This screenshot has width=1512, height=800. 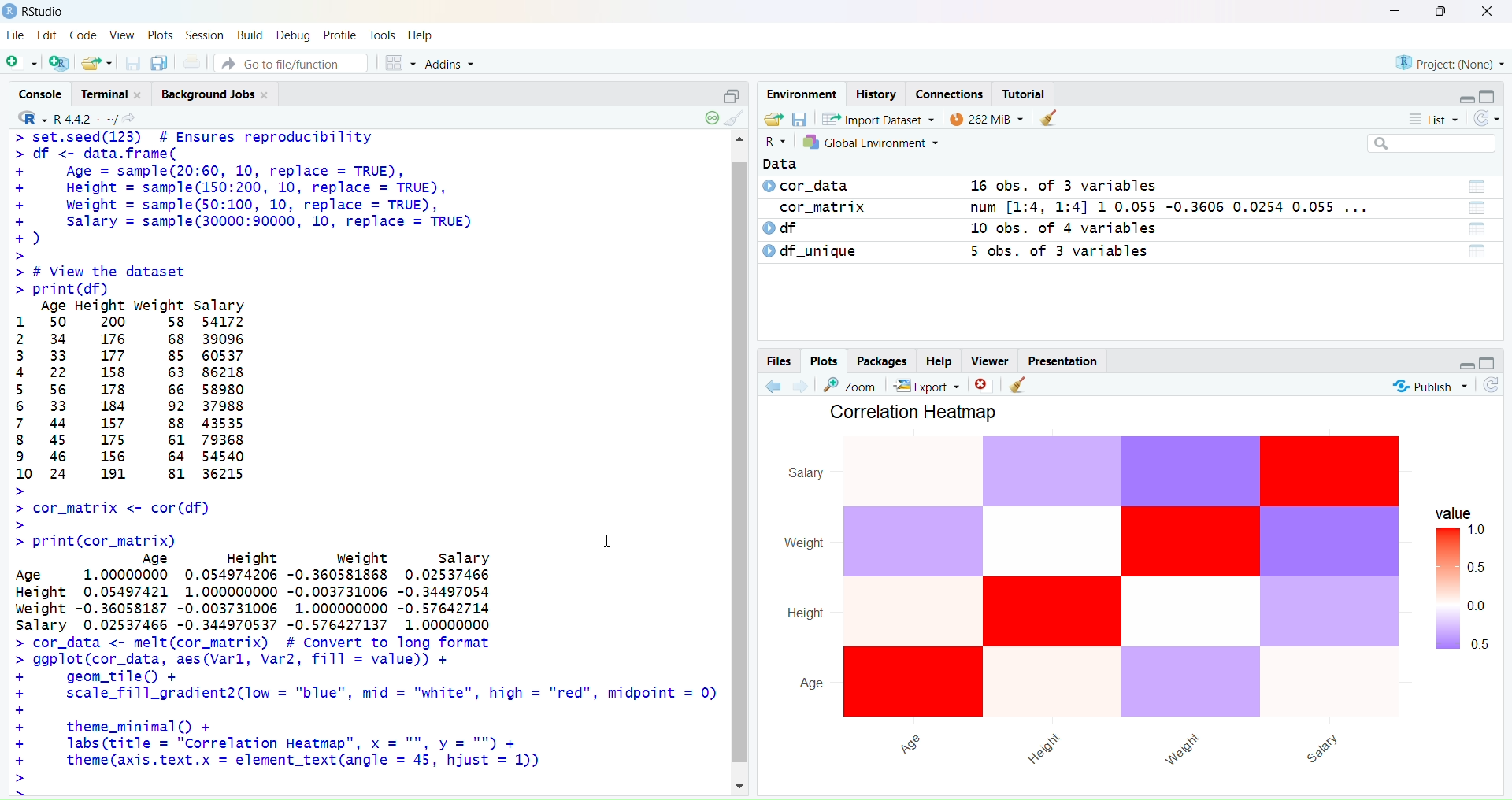 What do you see at coordinates (804, 543) in the screenshot?
I see `Weight` at bounding box center [804, 543].